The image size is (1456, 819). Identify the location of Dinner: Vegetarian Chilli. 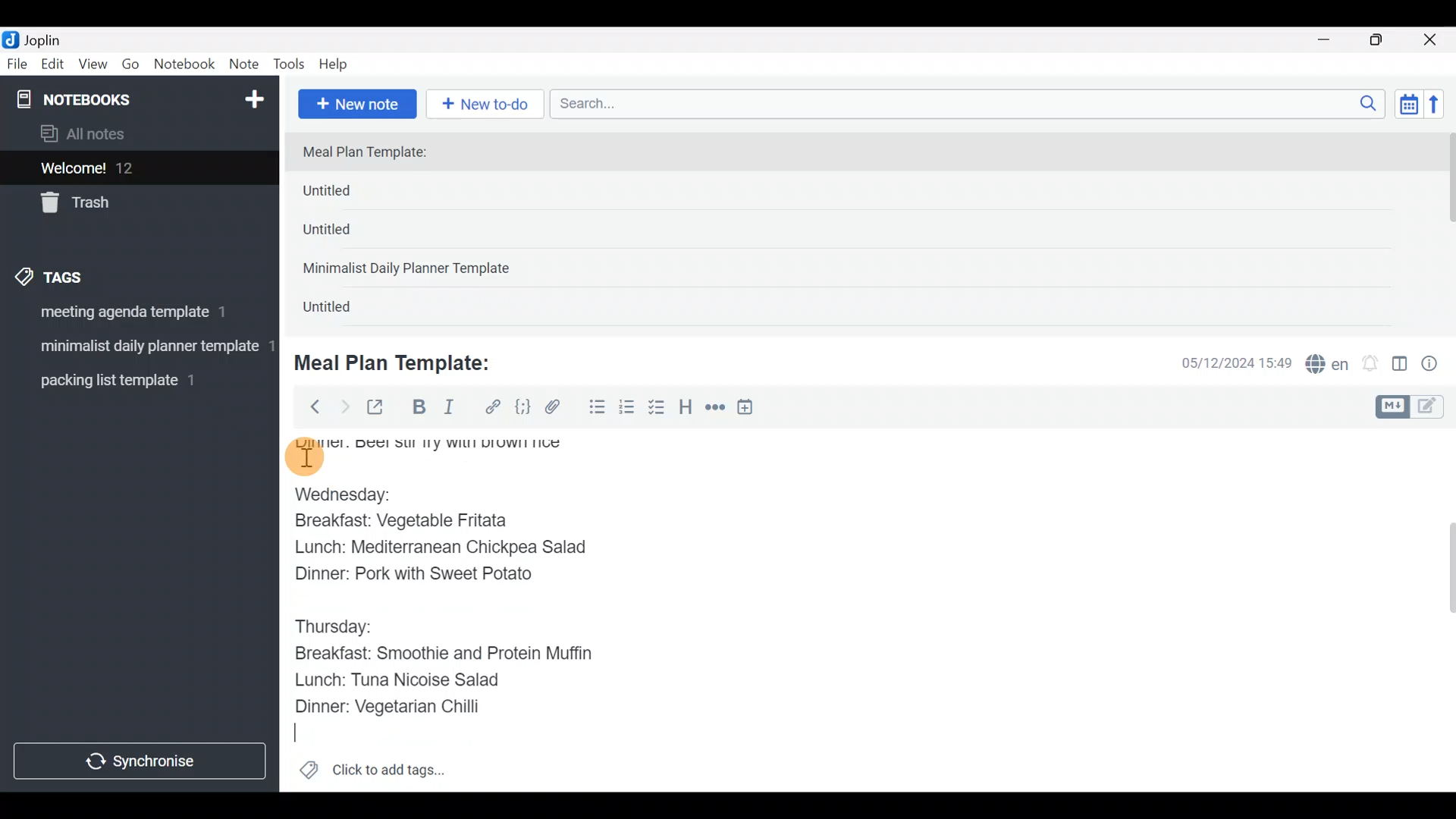
(401, 704).